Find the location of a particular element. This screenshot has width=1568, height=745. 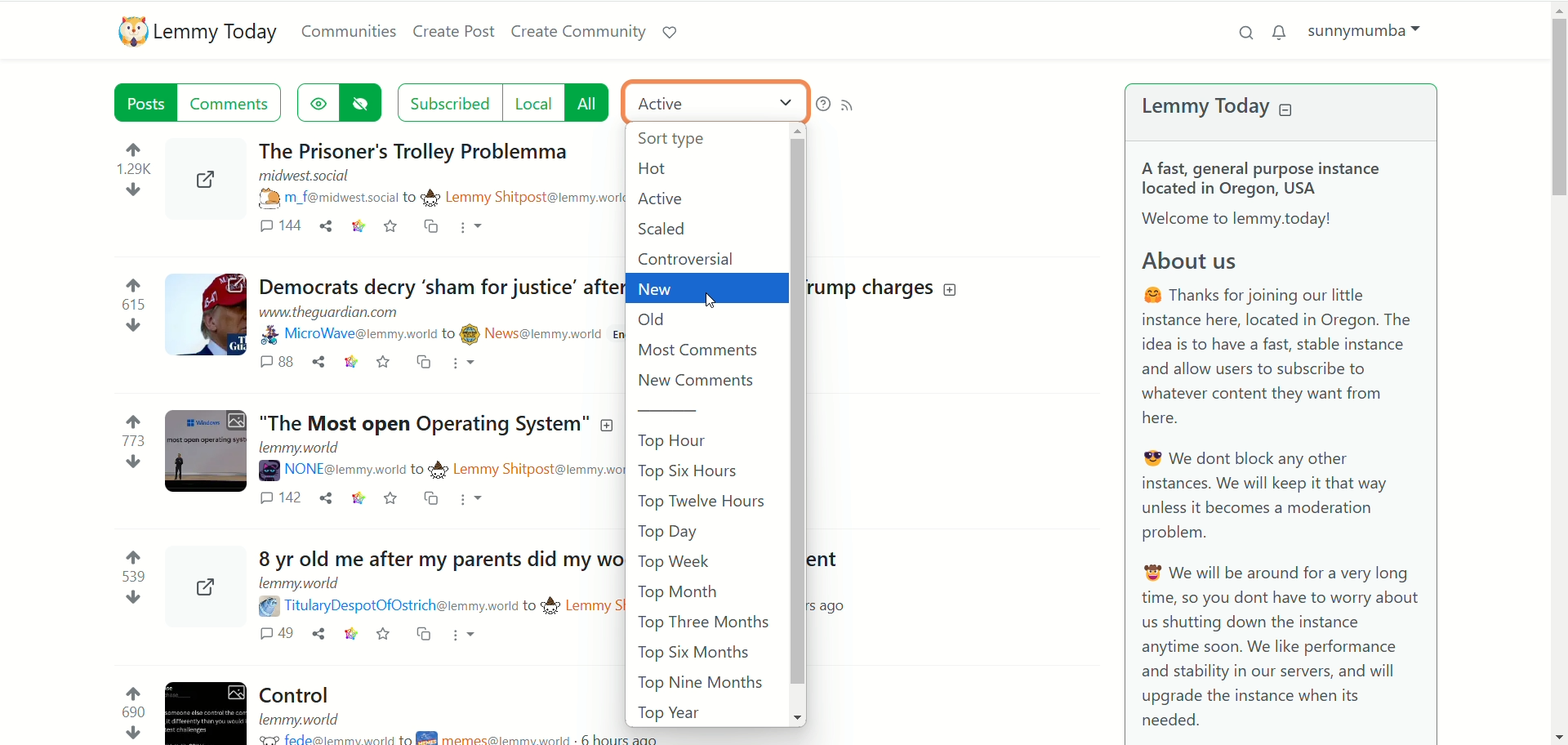

posts is located at coordinates (136, 103).